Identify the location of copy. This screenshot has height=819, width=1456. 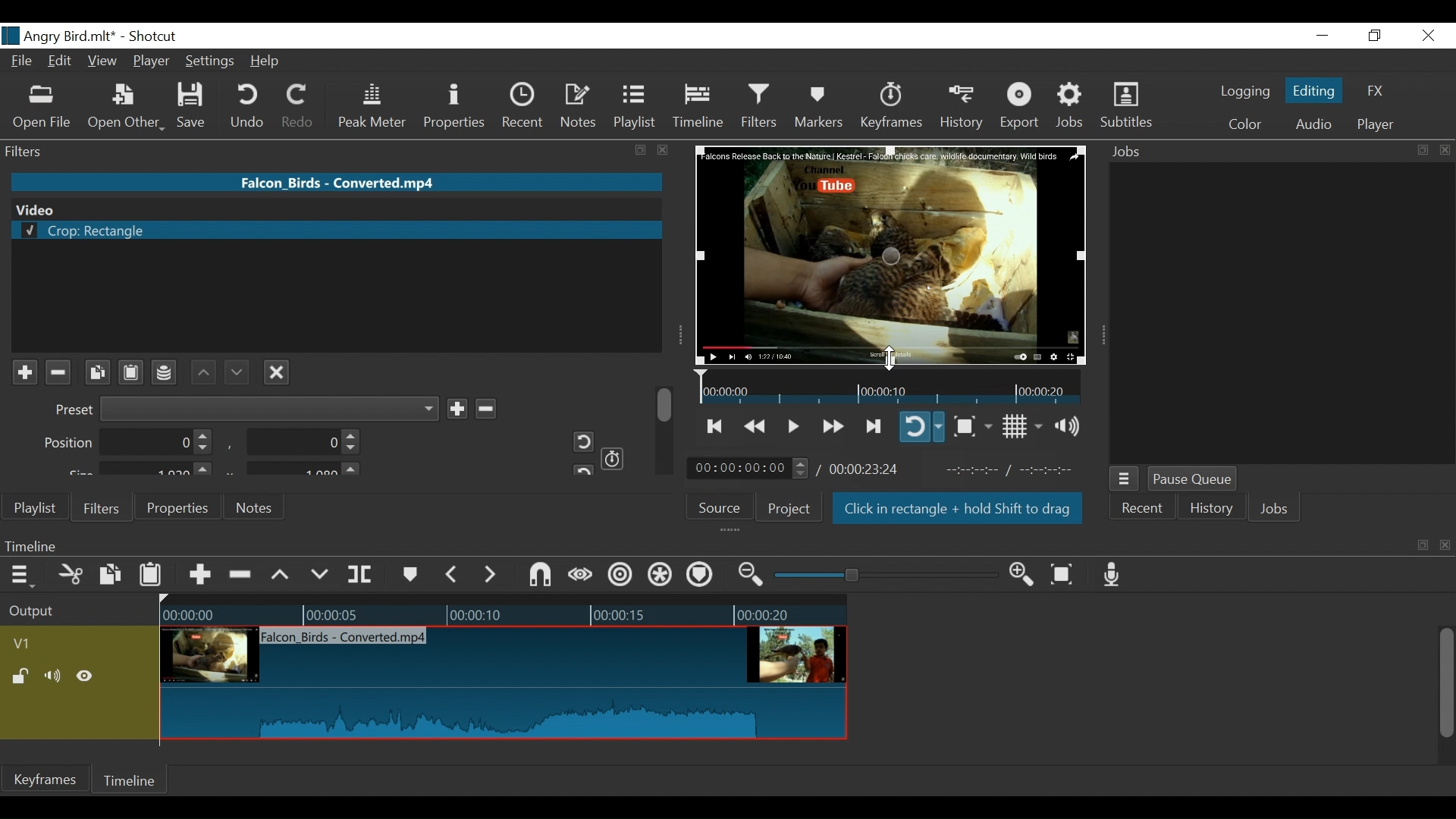
(1423, 545).